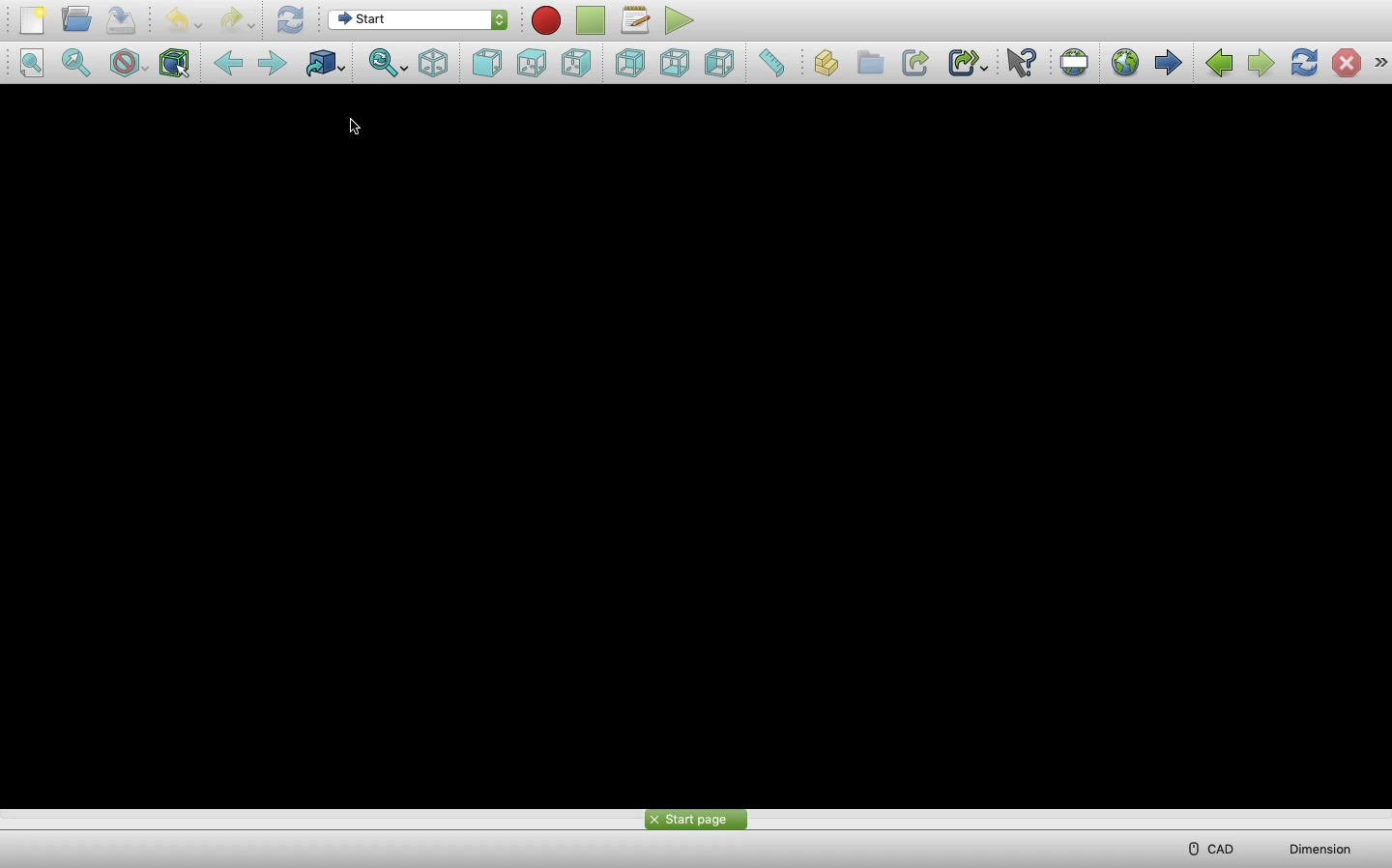 The width and height of the screenshot is (1392, 868). I want to click on Top, so click(530, 63).